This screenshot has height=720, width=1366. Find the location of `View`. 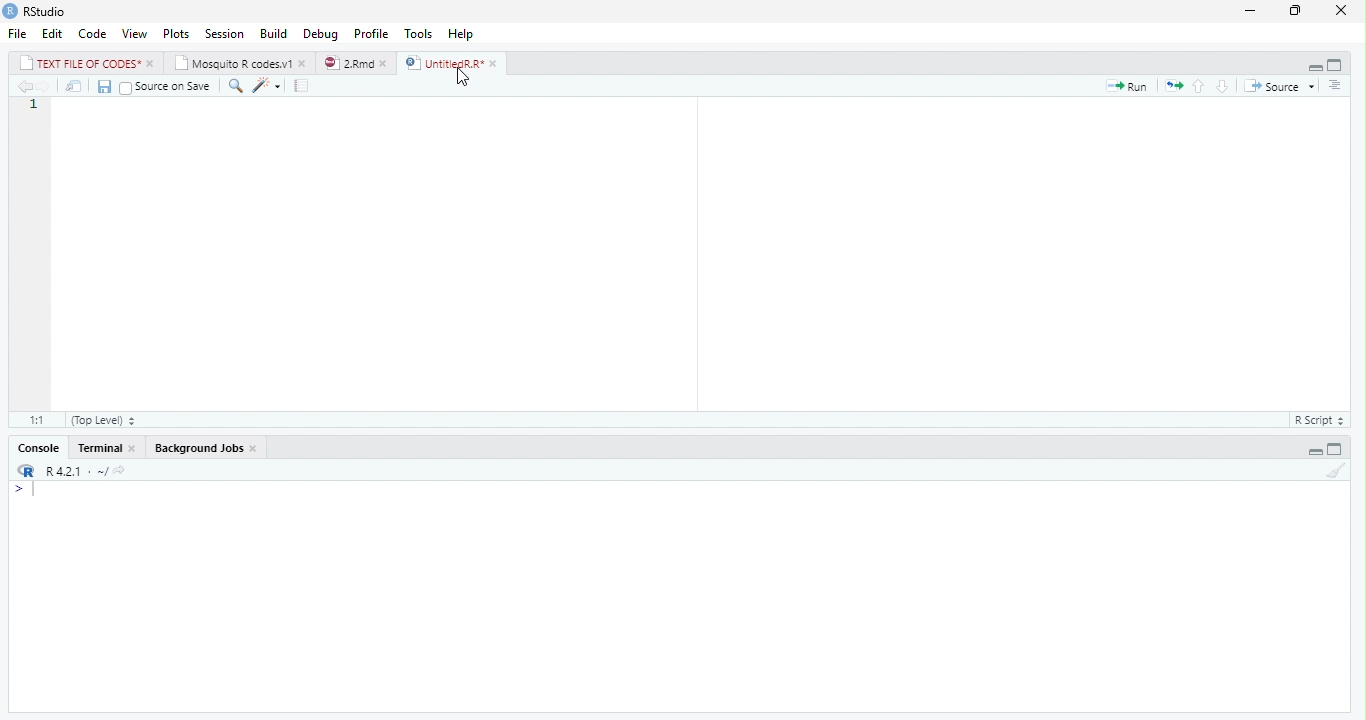

View is located at coordinates (135, 34).